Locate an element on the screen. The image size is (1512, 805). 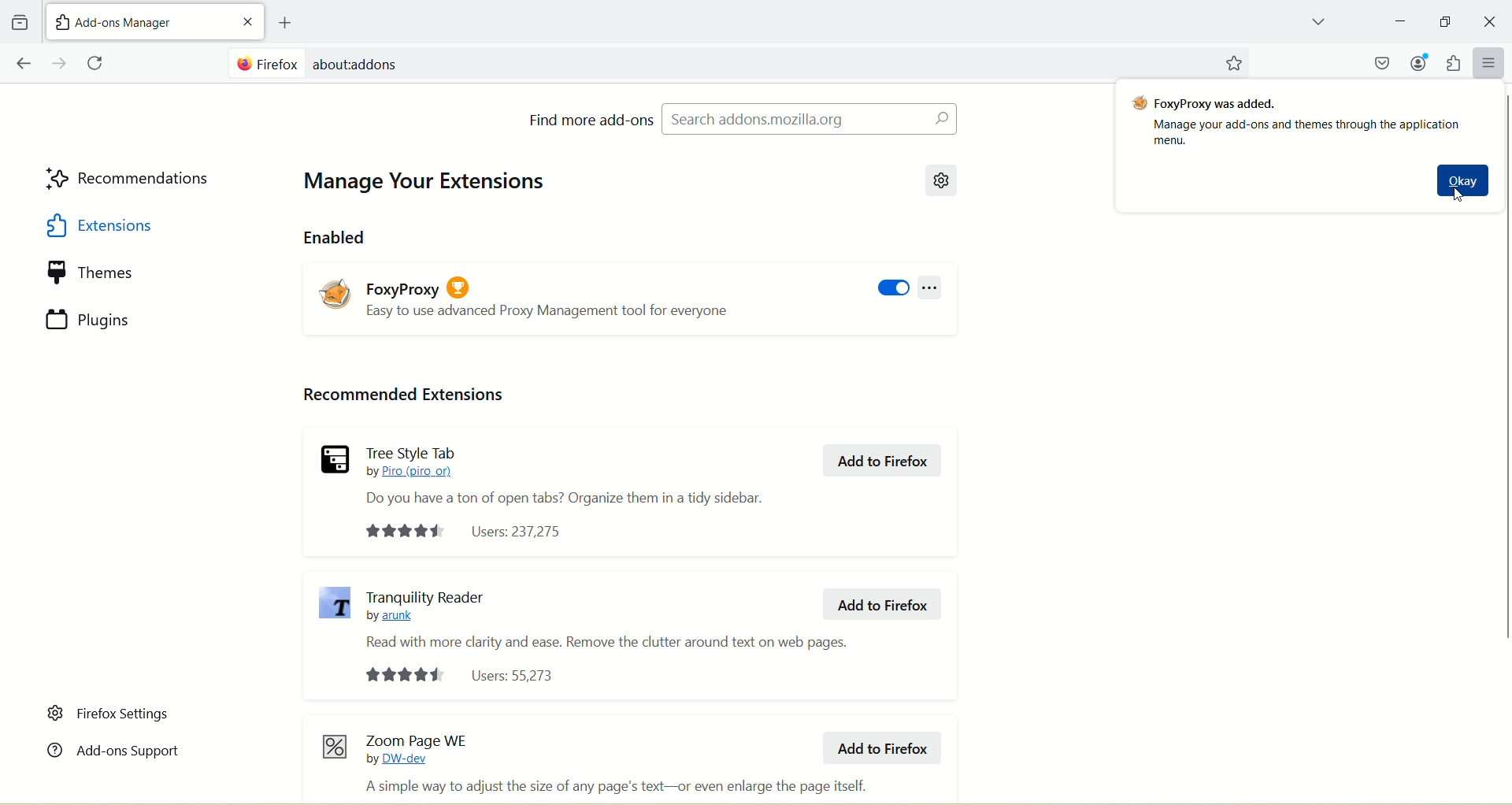
Users: 55,273 is located at coordinates (461, 675).